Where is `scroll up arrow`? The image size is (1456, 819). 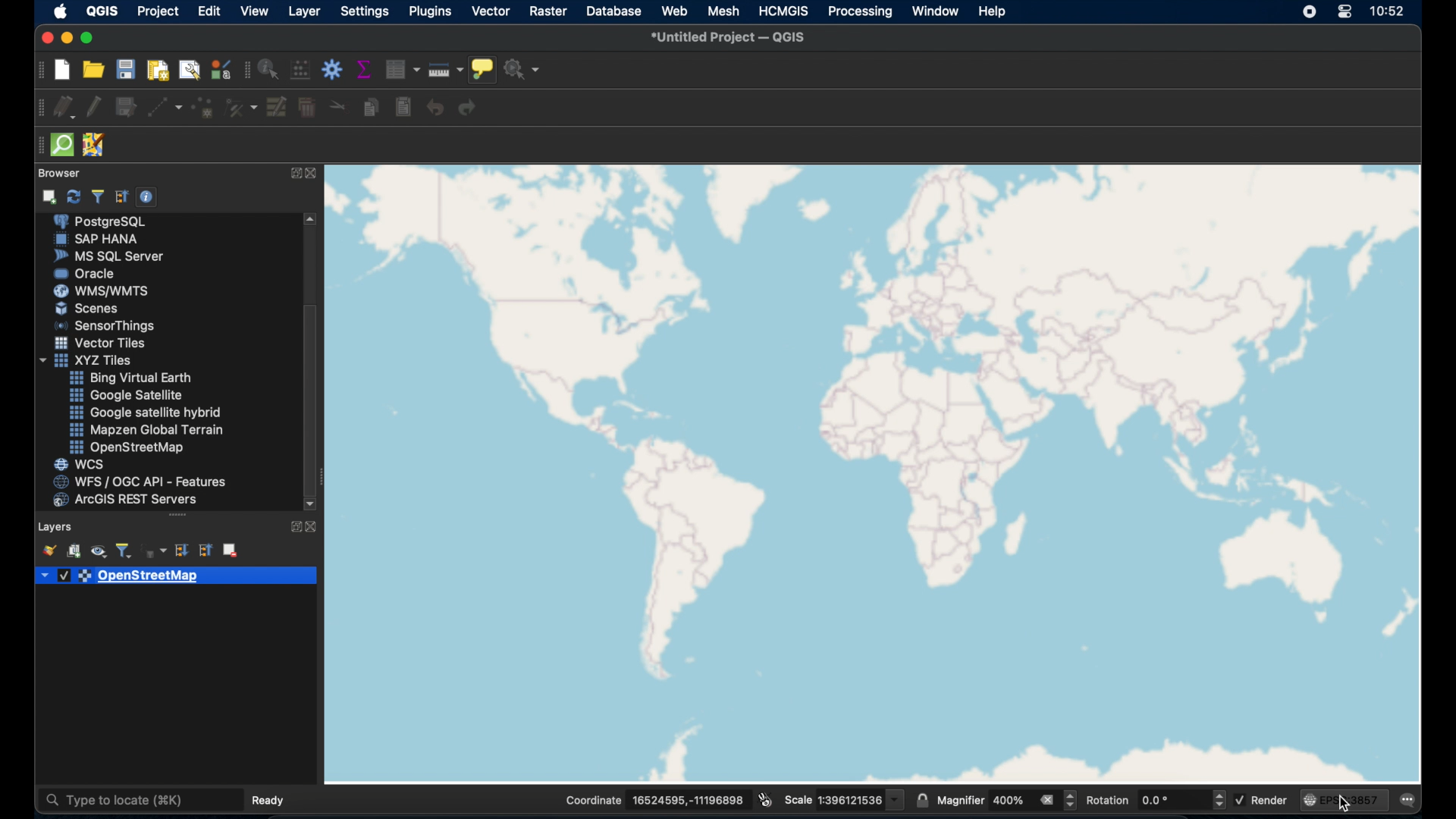 scroll up arrow is located at coordinates (309, 218).